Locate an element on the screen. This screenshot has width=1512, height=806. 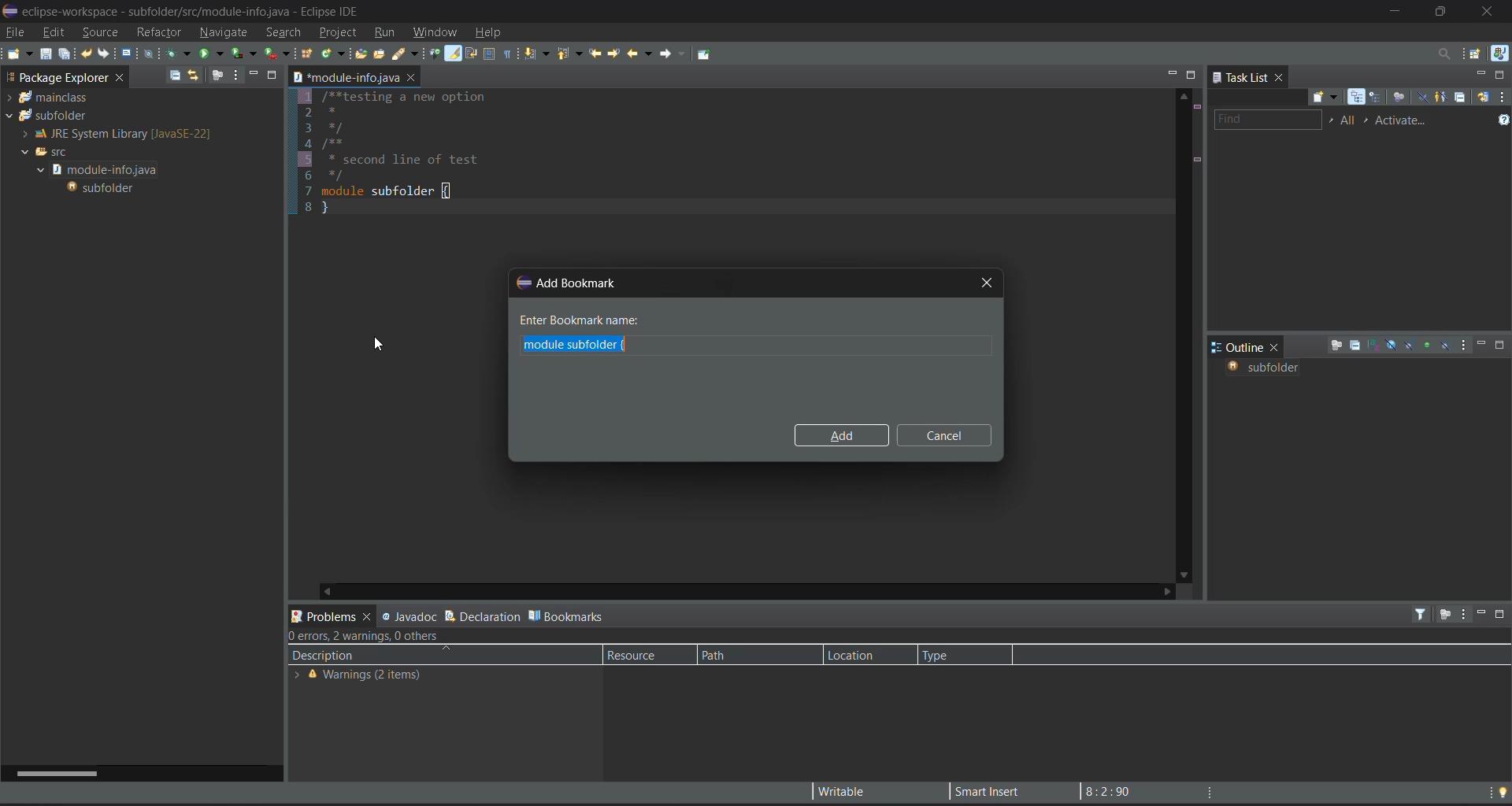
minimize is located at coordinates (251, 74).